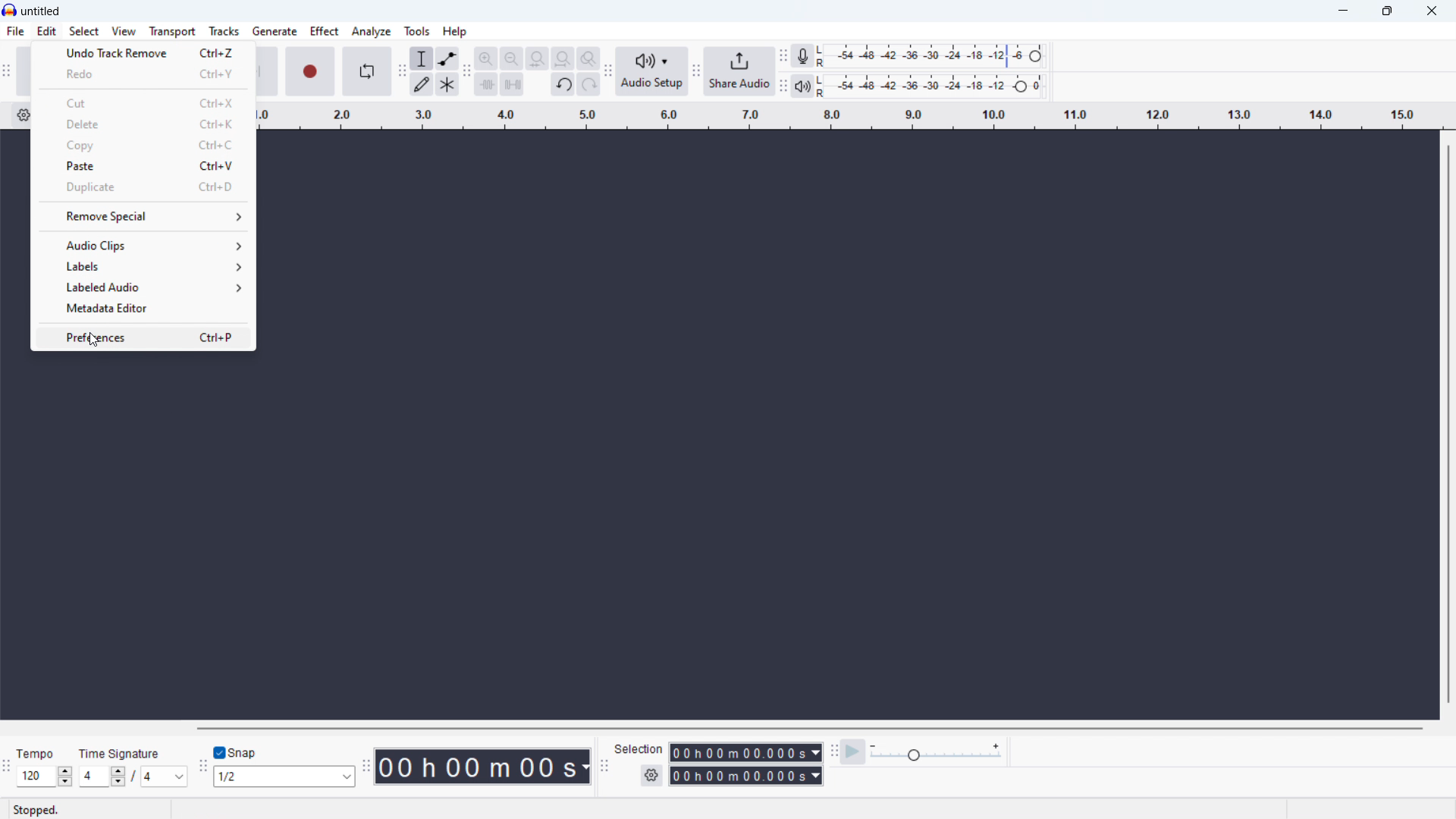  What do you see at coordinates (145, 145) in the screenshot?
I see `copy` at bounding box center [145, 145].